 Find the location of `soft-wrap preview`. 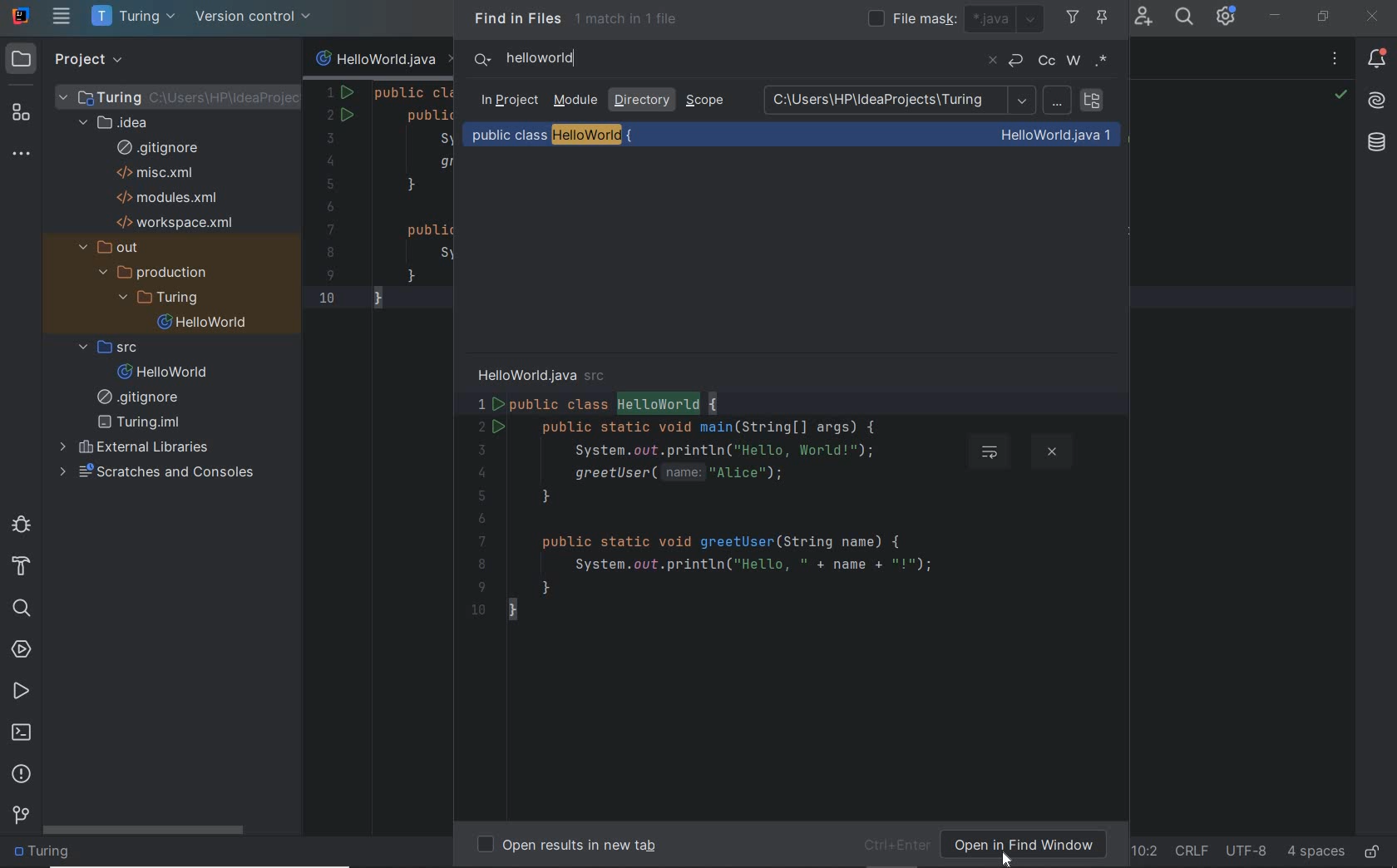

soft-wrap preview is located at coordinates (990, 451).